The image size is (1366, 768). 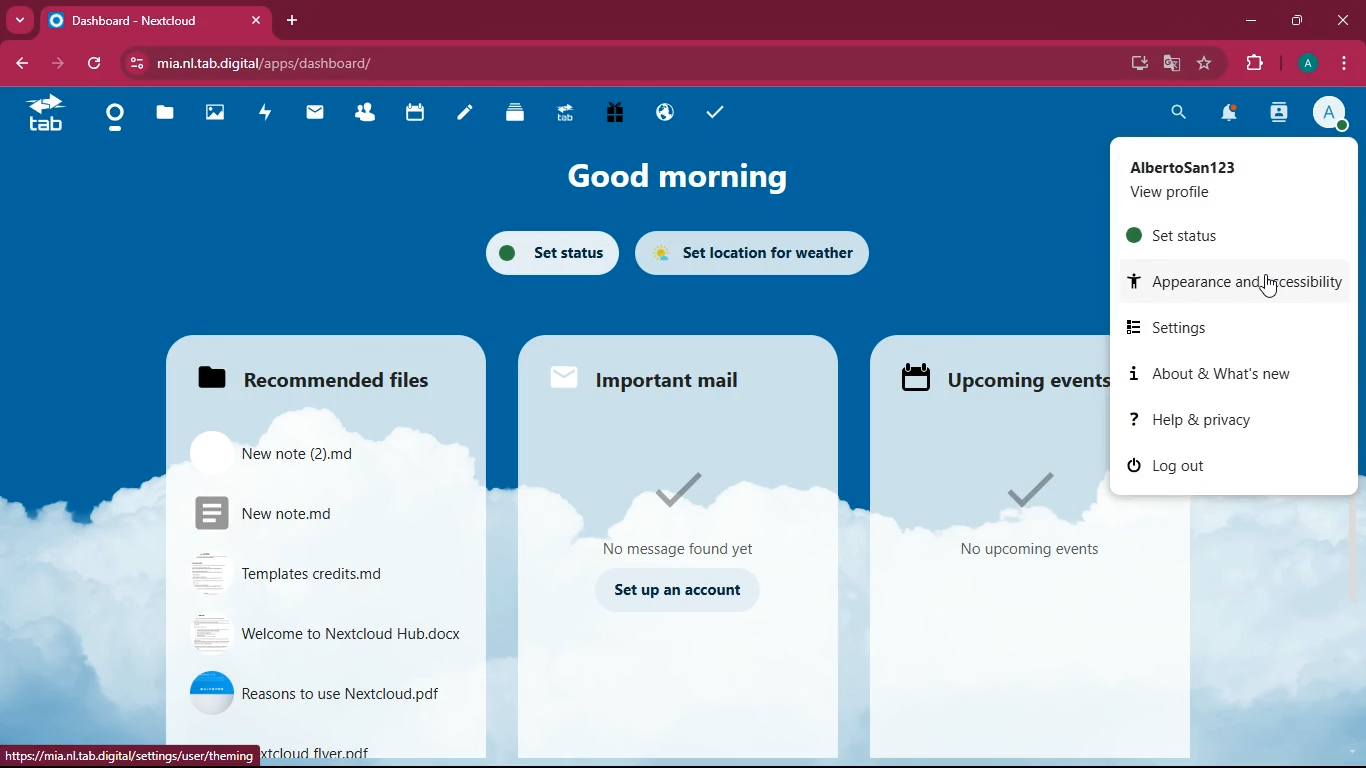 What do you see at coordinates (1211, 372) in the screenshot?
I see `about` at bounding box center [1211, 372].